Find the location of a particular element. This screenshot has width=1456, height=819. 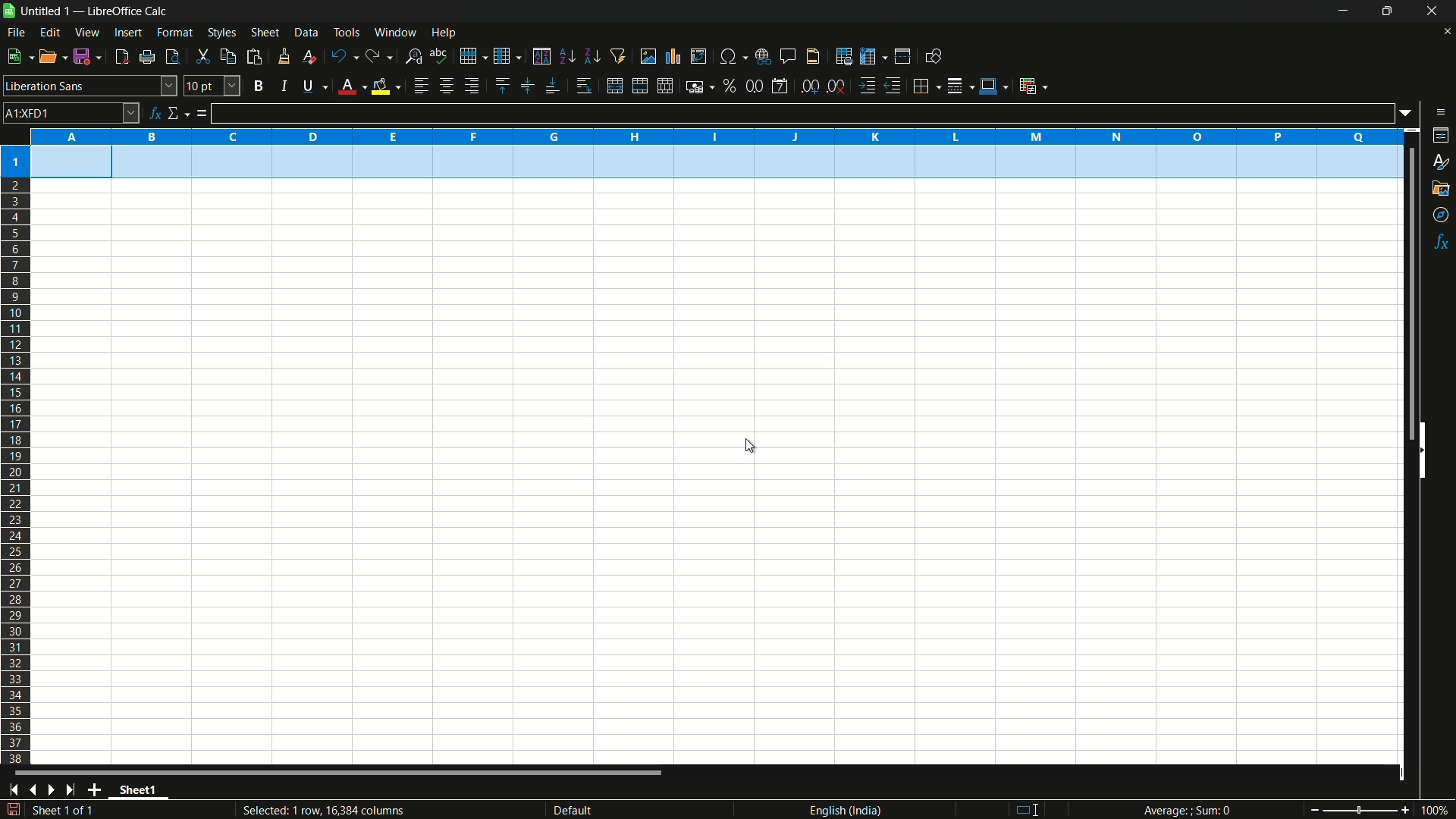

rows is located at coordinates (16, 454).